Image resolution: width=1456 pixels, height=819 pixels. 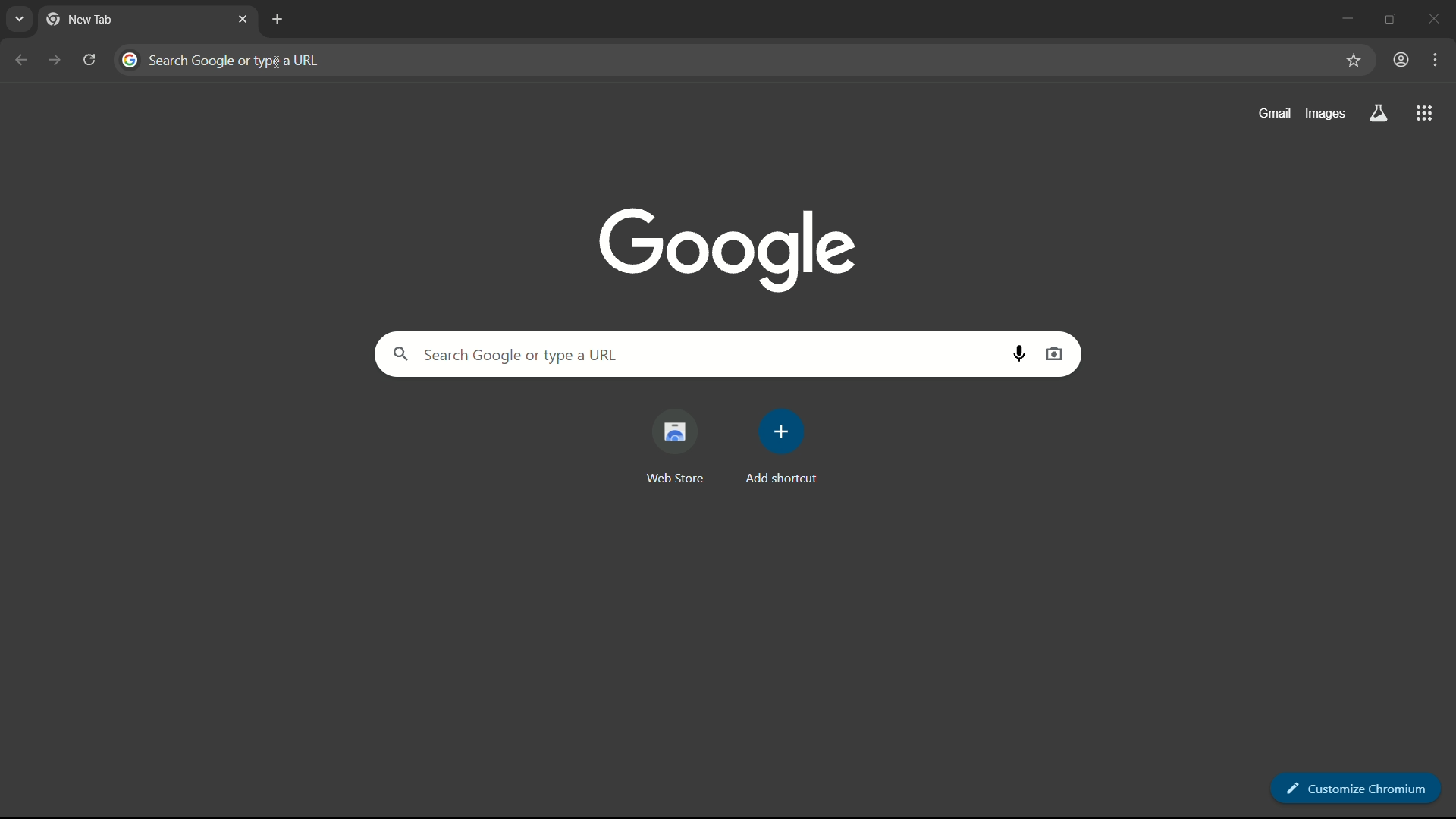 I want to click on close, so click(x=1439, y=19).